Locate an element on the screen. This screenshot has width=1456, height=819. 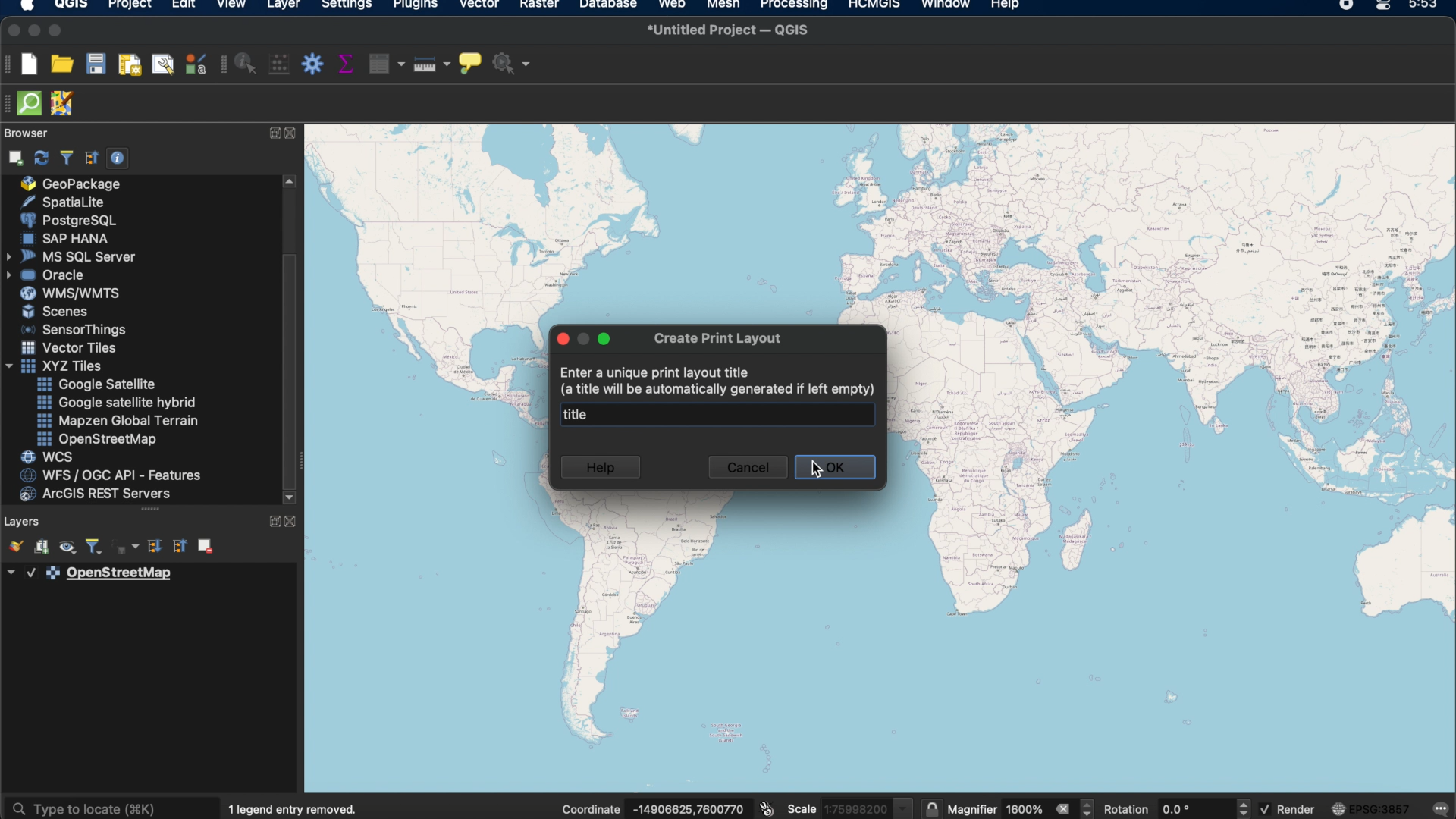
no action selected is located at coordinates (516, 65).